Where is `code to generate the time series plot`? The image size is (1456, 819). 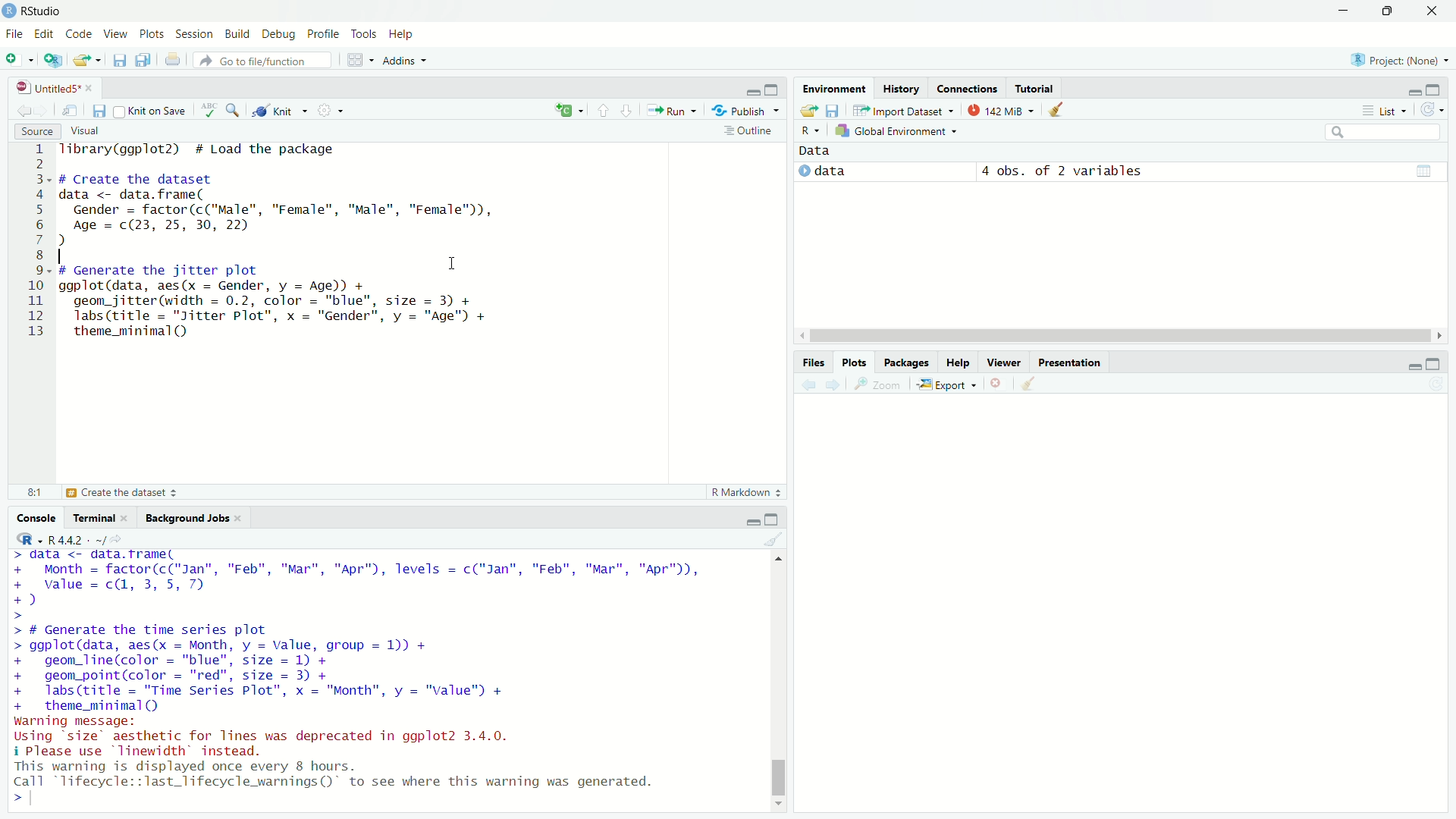 code to generate the time series plot is located at coordinates (290, 669).